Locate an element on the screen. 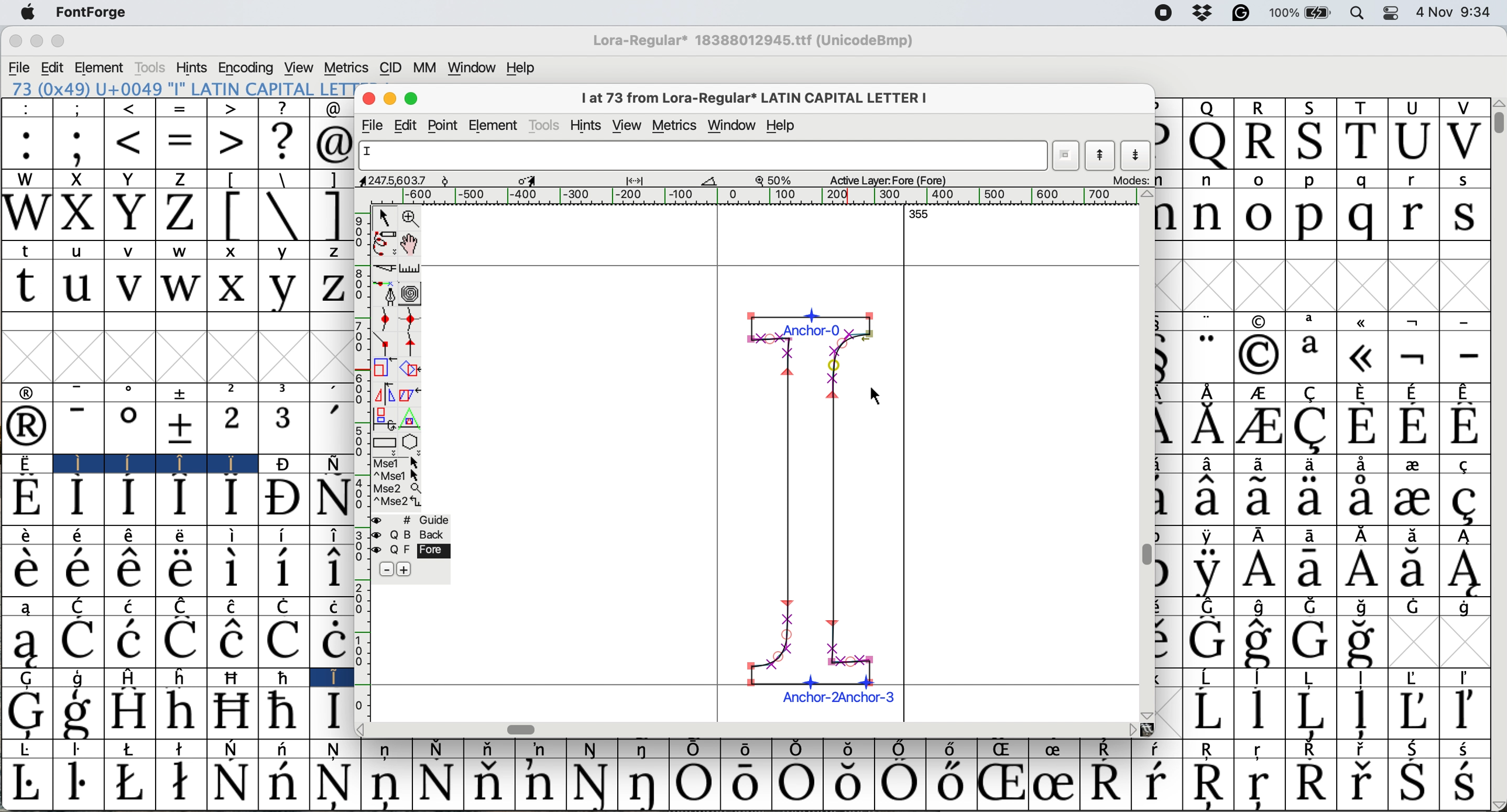  S is located at coordinates (1312, 142).